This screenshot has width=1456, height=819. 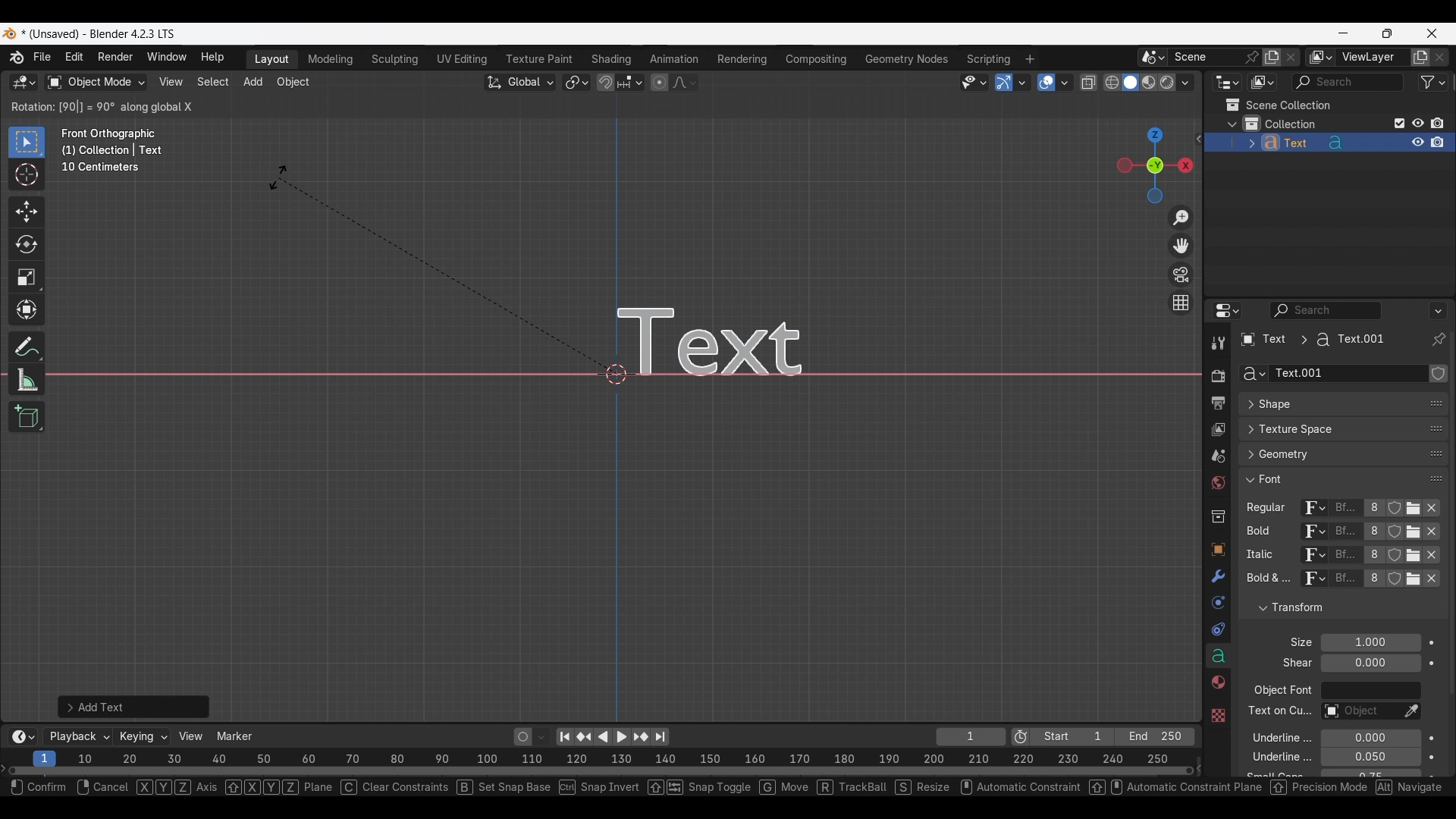 What do you see at coordinates (1151, 165) in the screenshot?
I see `Click to use a preset viewport` at bounding box center [1151, 165].